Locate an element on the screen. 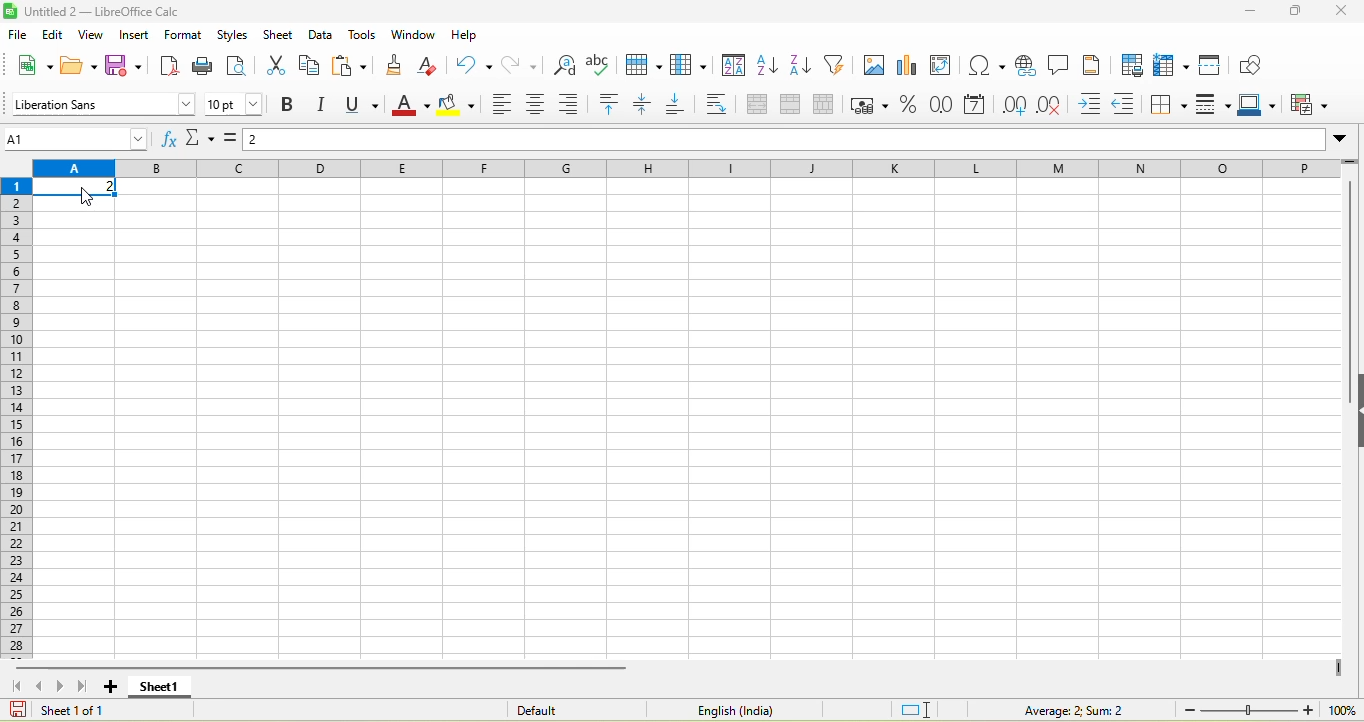  edit is located at coordinates (53, 34).